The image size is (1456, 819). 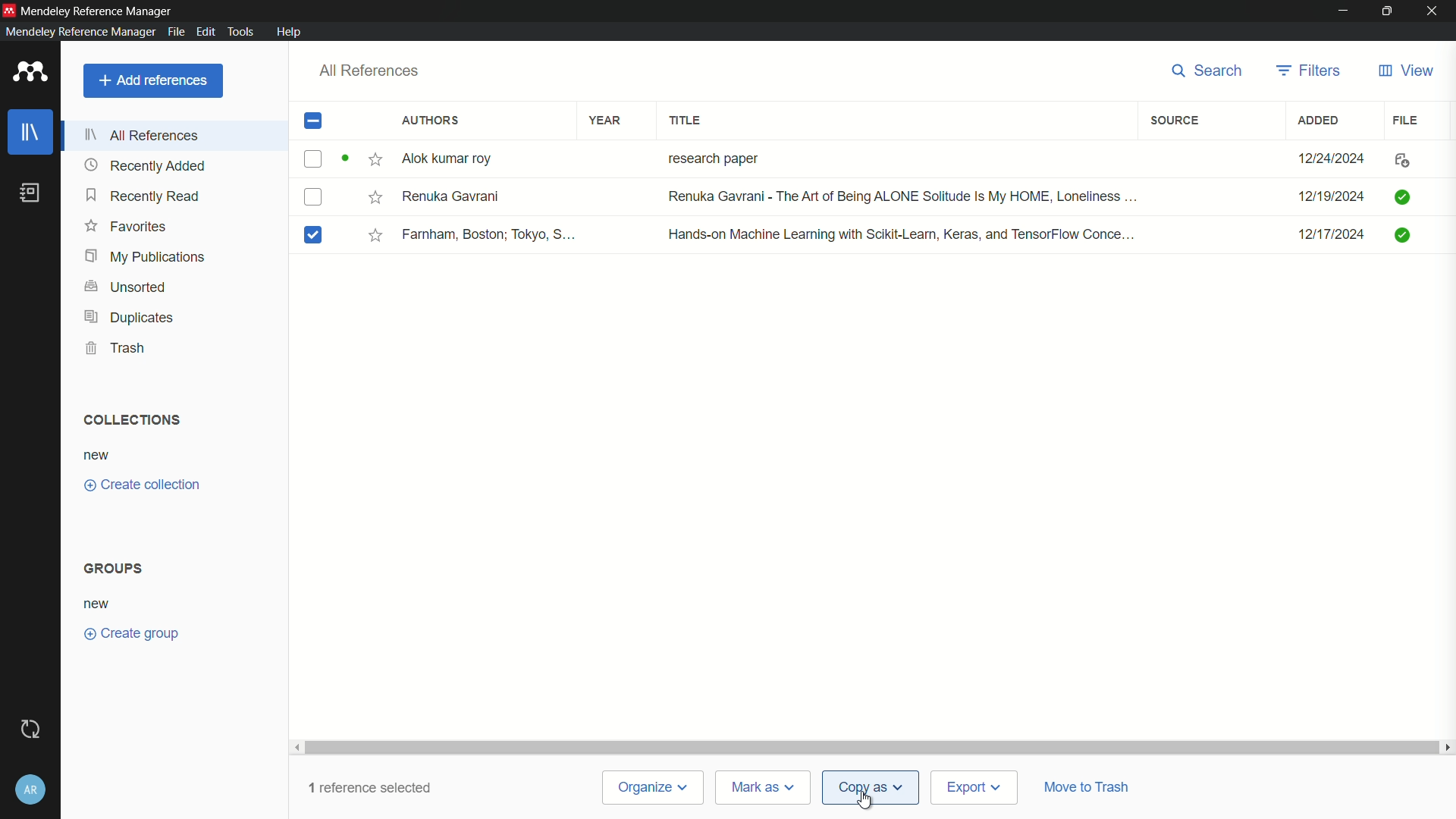 I want to click on 12/19/2024, so click(x=1329, y=195).